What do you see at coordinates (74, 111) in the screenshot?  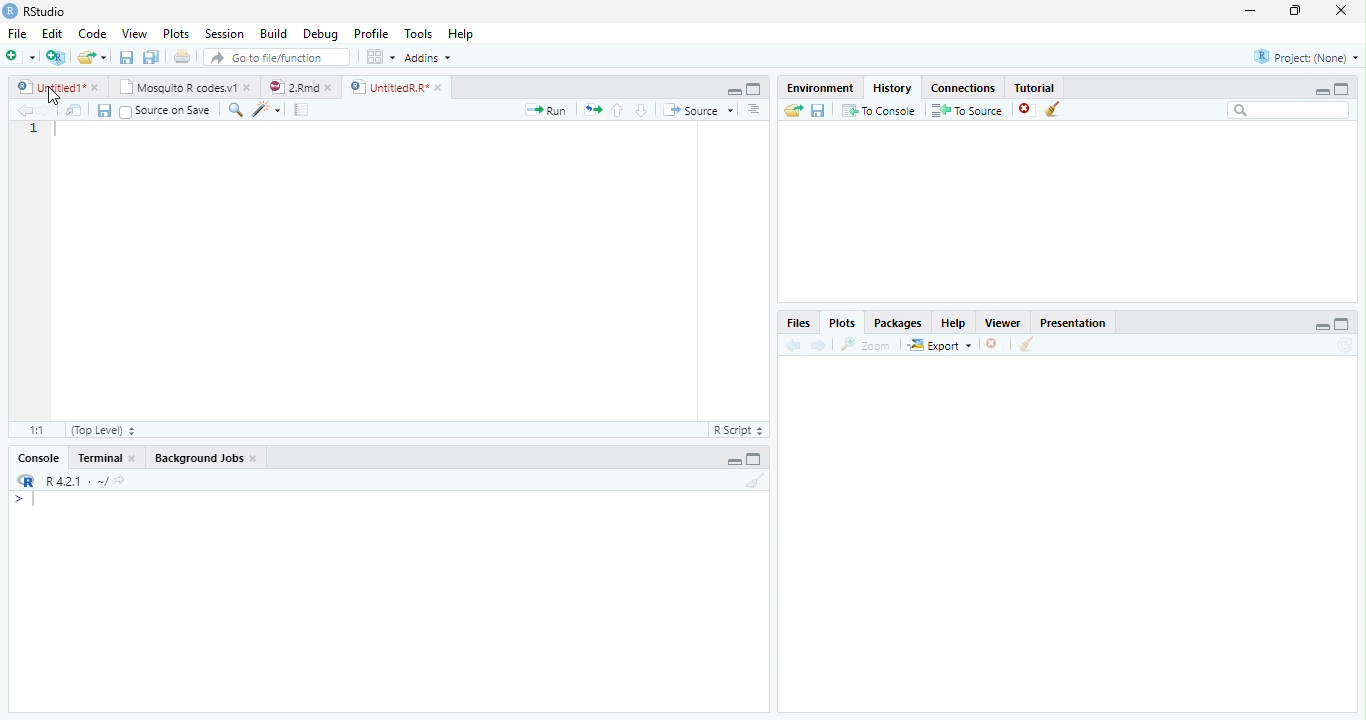 I see `Show in new window` at bounding box center [74, 111].